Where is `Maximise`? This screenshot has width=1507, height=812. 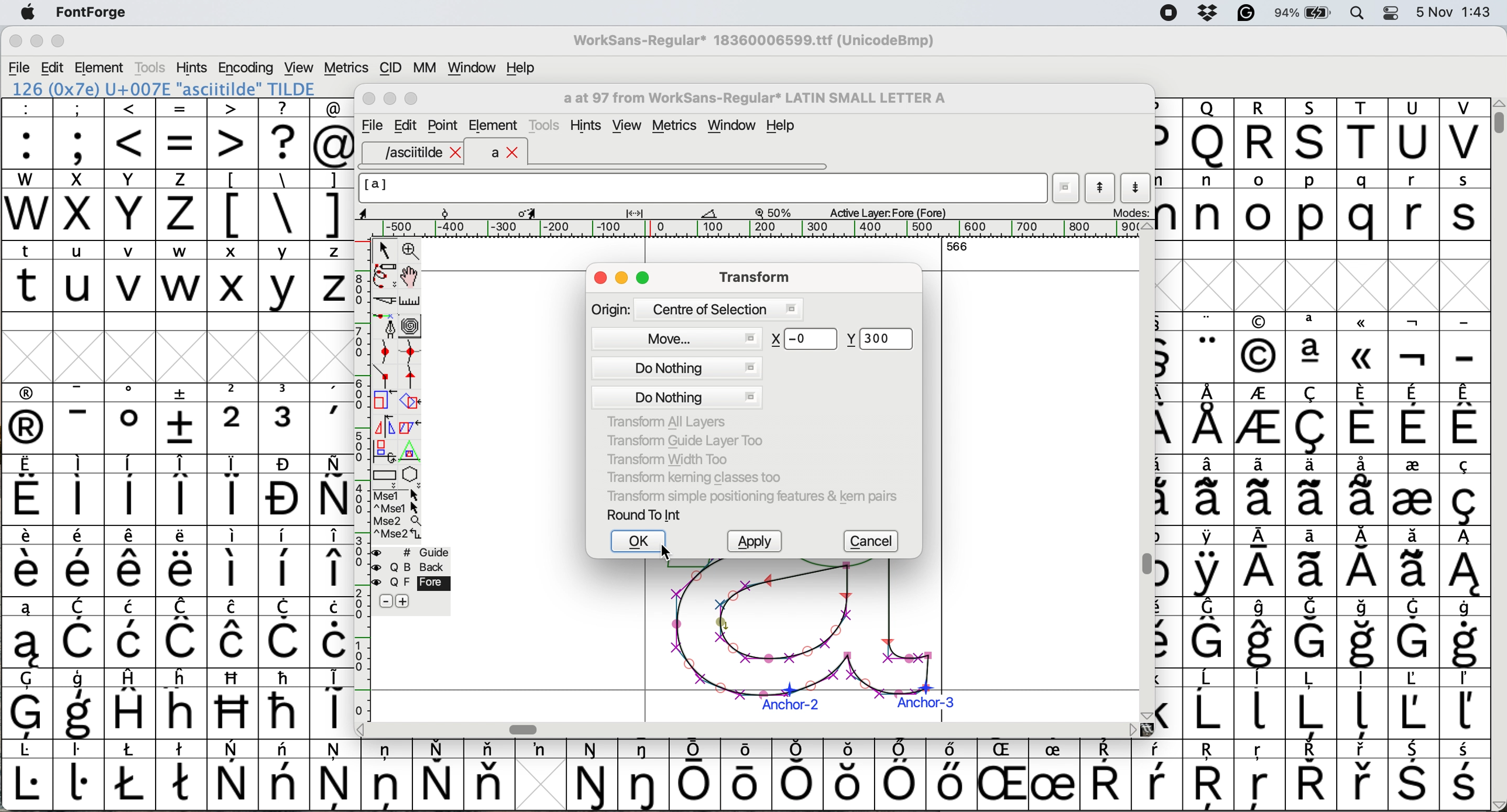
Maximise is located at coordinates (414, 99).